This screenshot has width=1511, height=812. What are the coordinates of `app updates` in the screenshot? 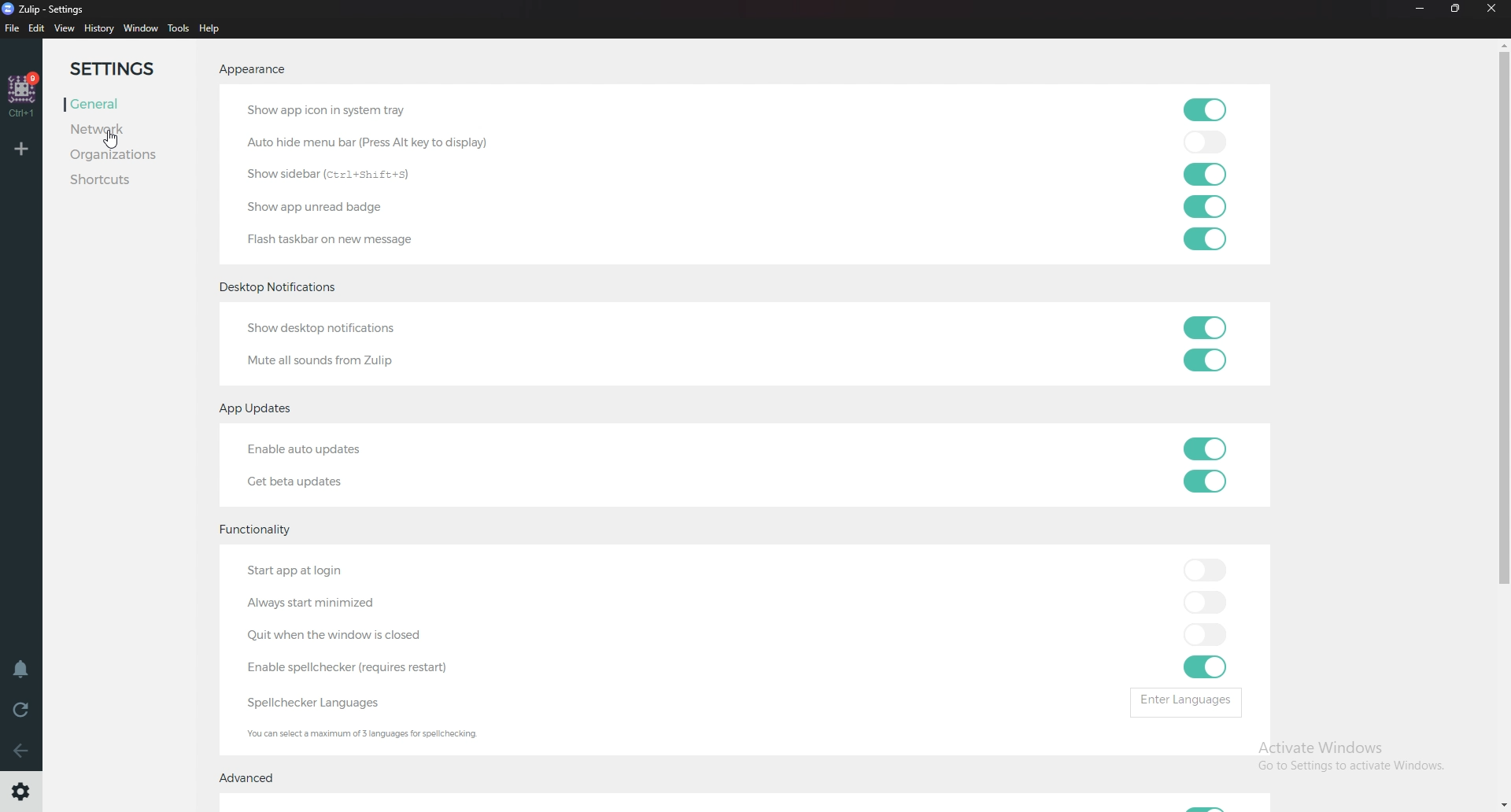 It's located at (262, 409).